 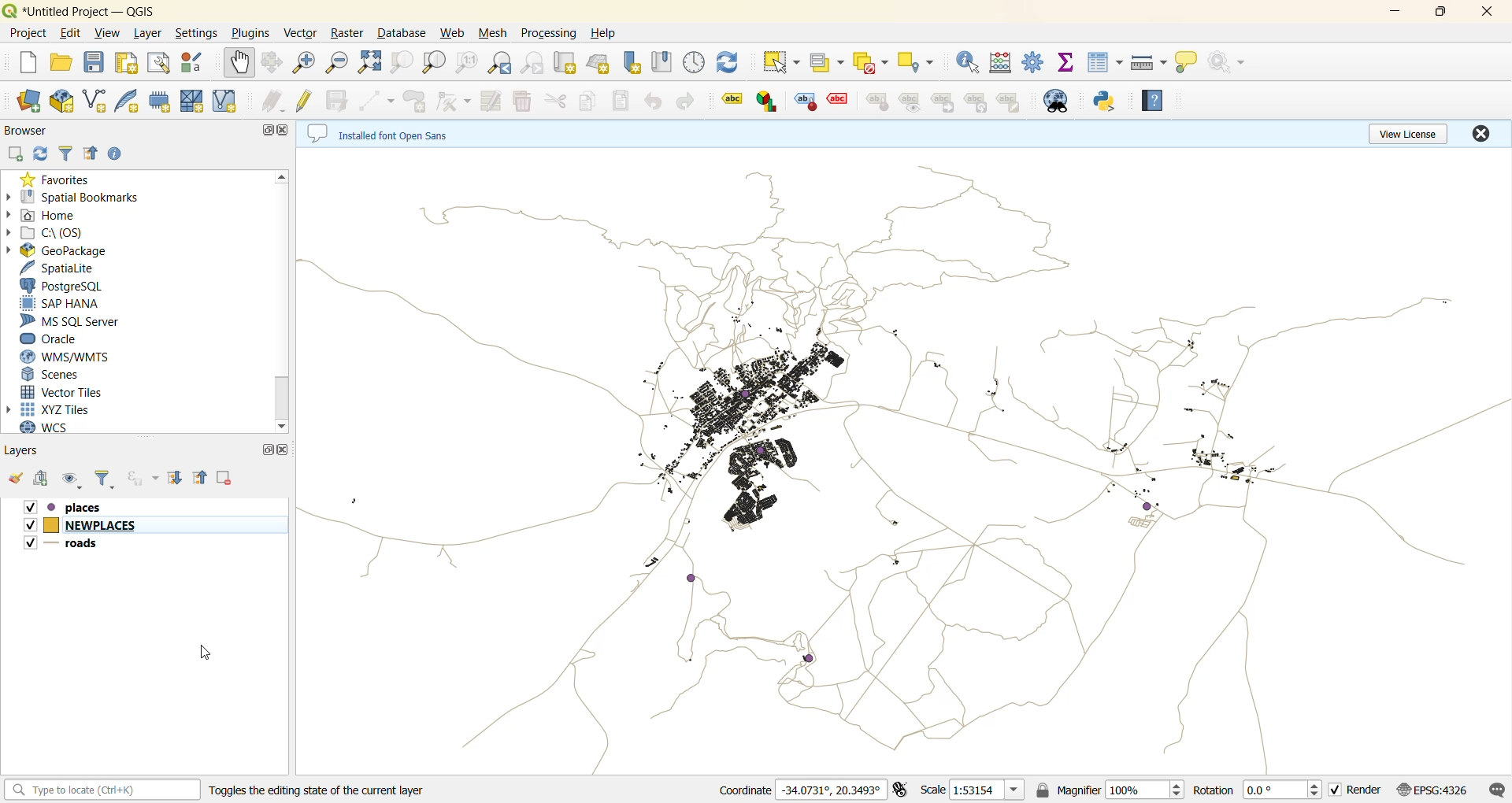 What do you see at coordinates (535, 62) in the screenshot?
I see `zoom next` at bounding box center [535, 62].